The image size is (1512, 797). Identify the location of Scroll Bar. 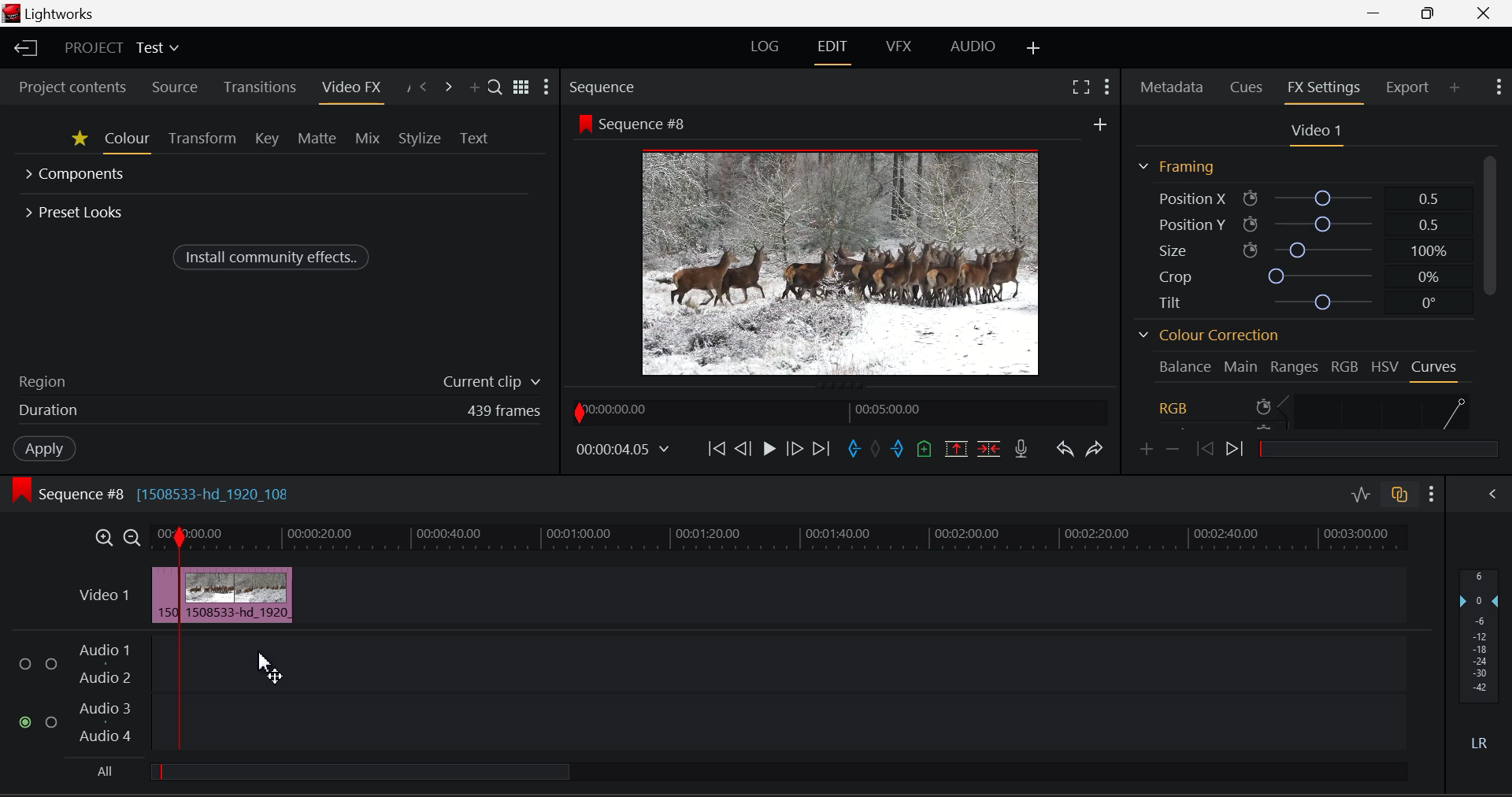
(1494, 294).